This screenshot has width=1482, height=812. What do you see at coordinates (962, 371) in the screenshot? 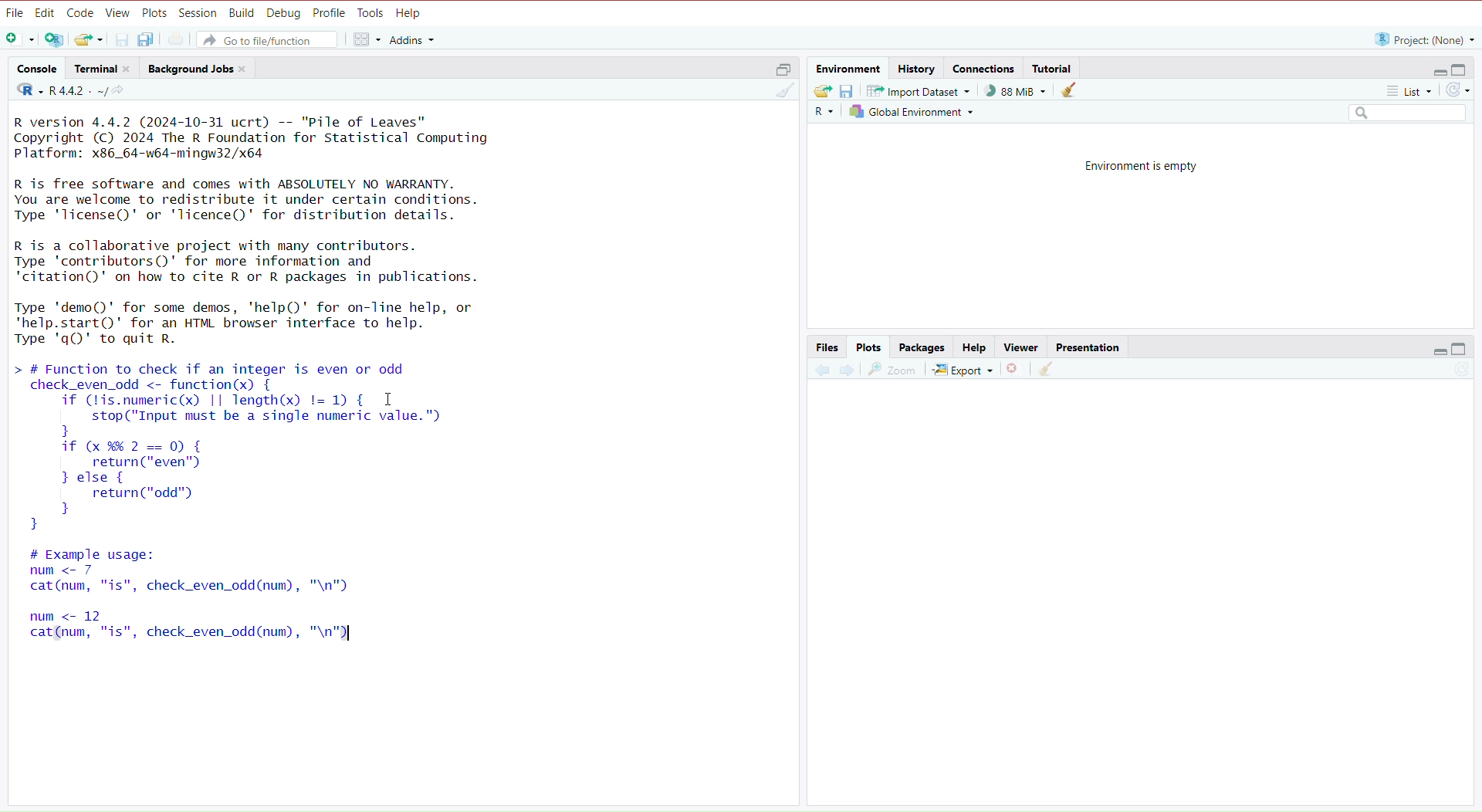
I see `export` at bounding box center [962, 371].